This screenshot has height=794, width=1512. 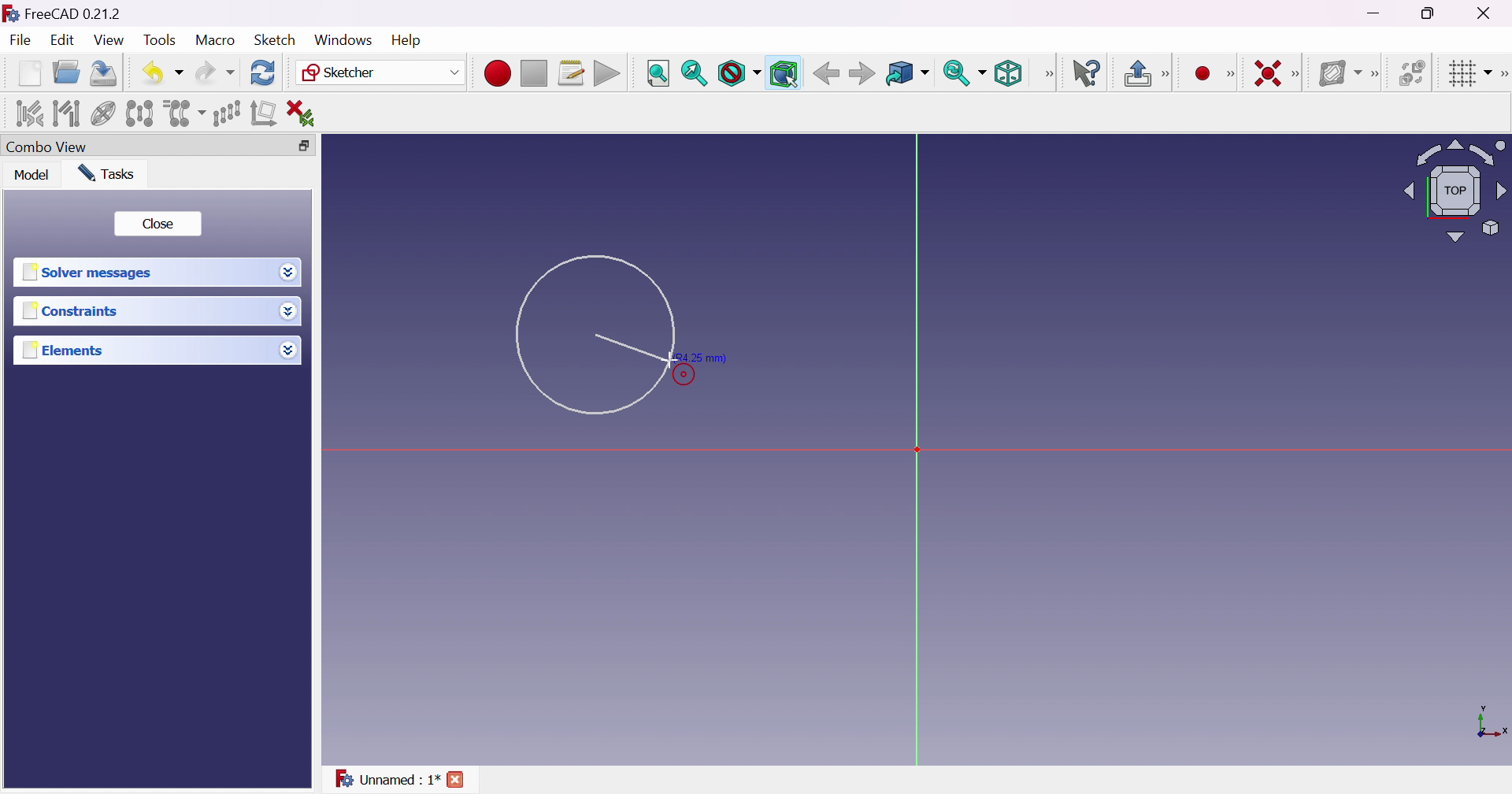 I want to click on Execute macro, so click(x=608, y=74).